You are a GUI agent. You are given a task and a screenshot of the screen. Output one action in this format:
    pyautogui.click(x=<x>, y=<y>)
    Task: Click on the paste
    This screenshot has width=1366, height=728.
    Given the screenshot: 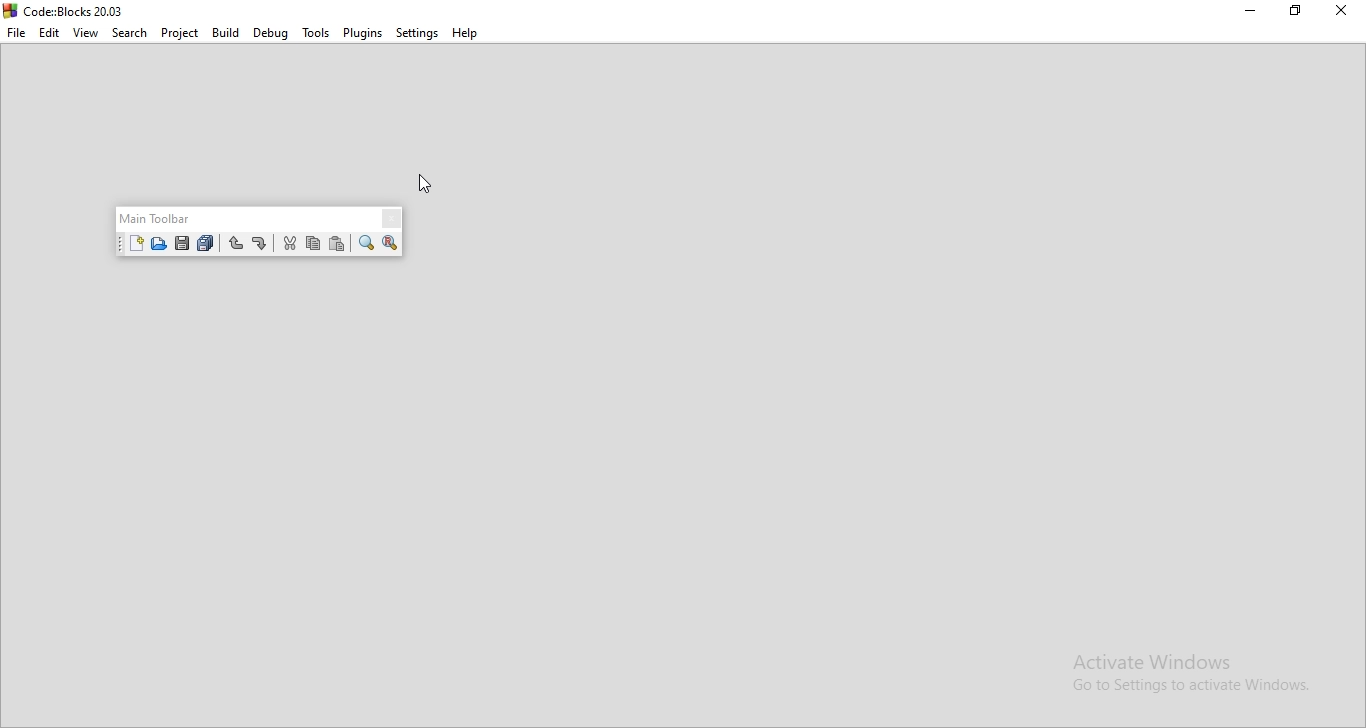 What is the action you would take?
    pyautogui.click(x=338, y=244)
    